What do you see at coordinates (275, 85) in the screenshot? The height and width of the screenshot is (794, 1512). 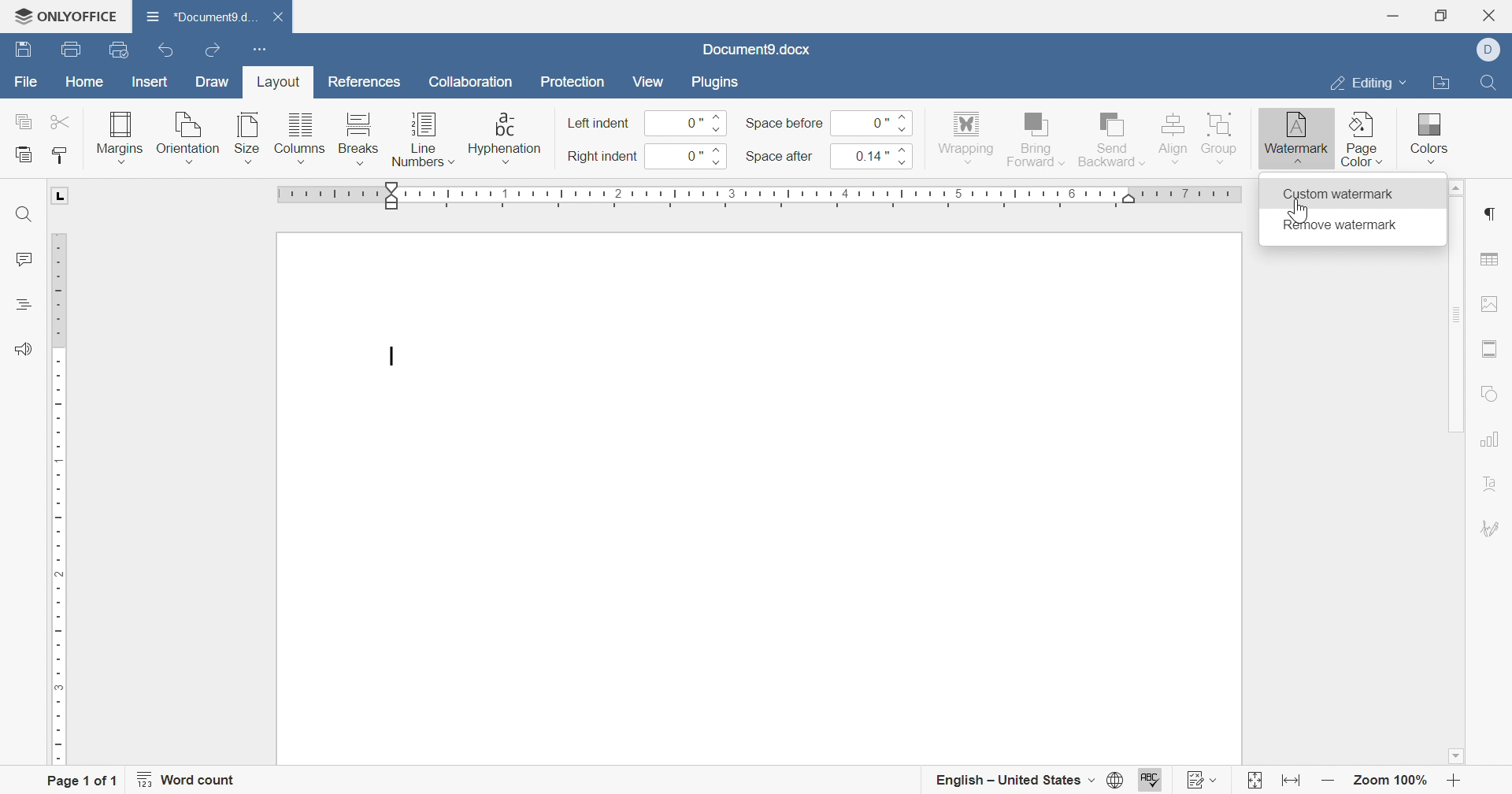 I see `layout` at bounding box center [275, 85].